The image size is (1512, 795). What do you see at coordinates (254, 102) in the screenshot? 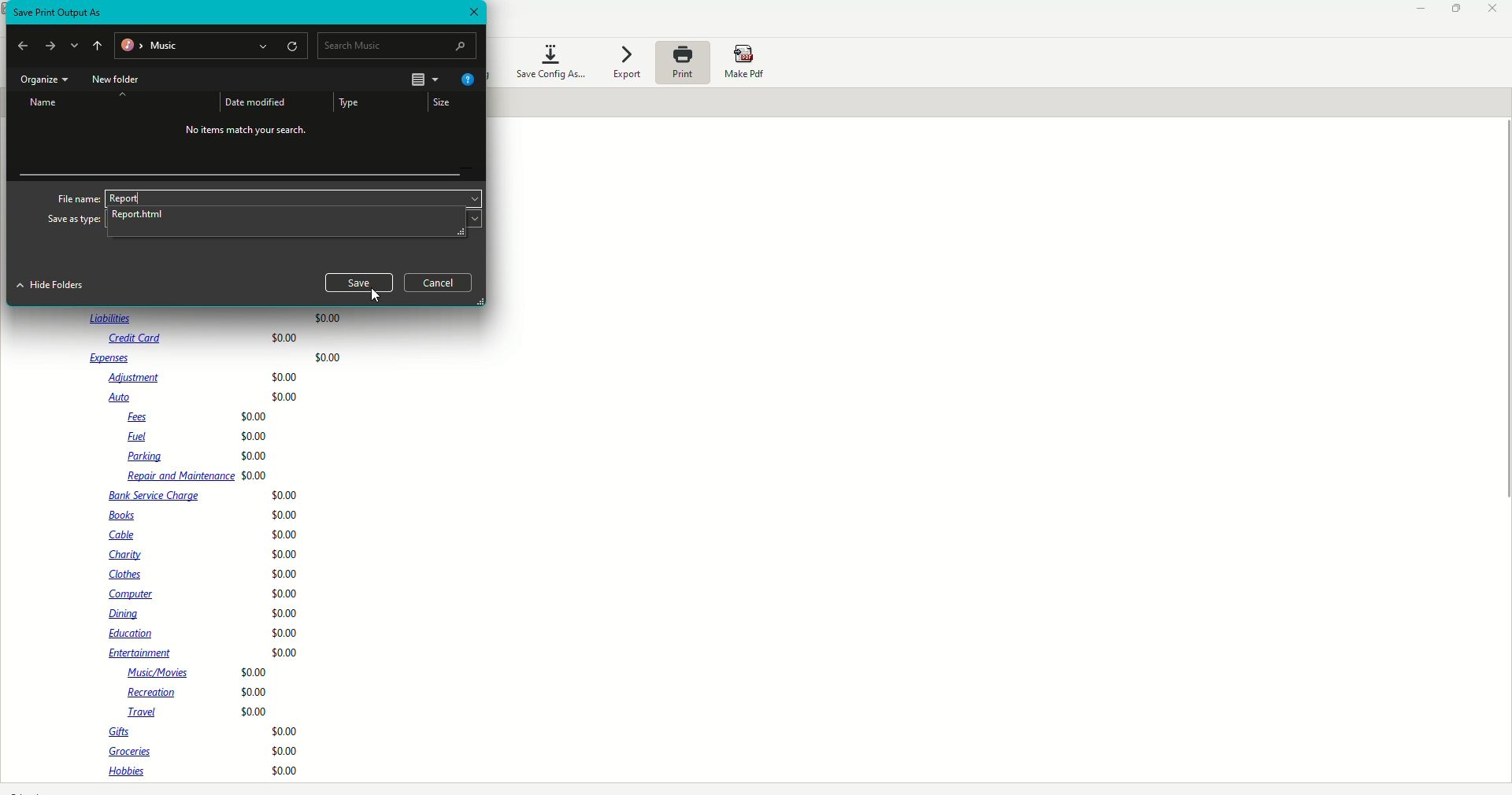
I see `Date Modified` at bounding box center [254, 102].